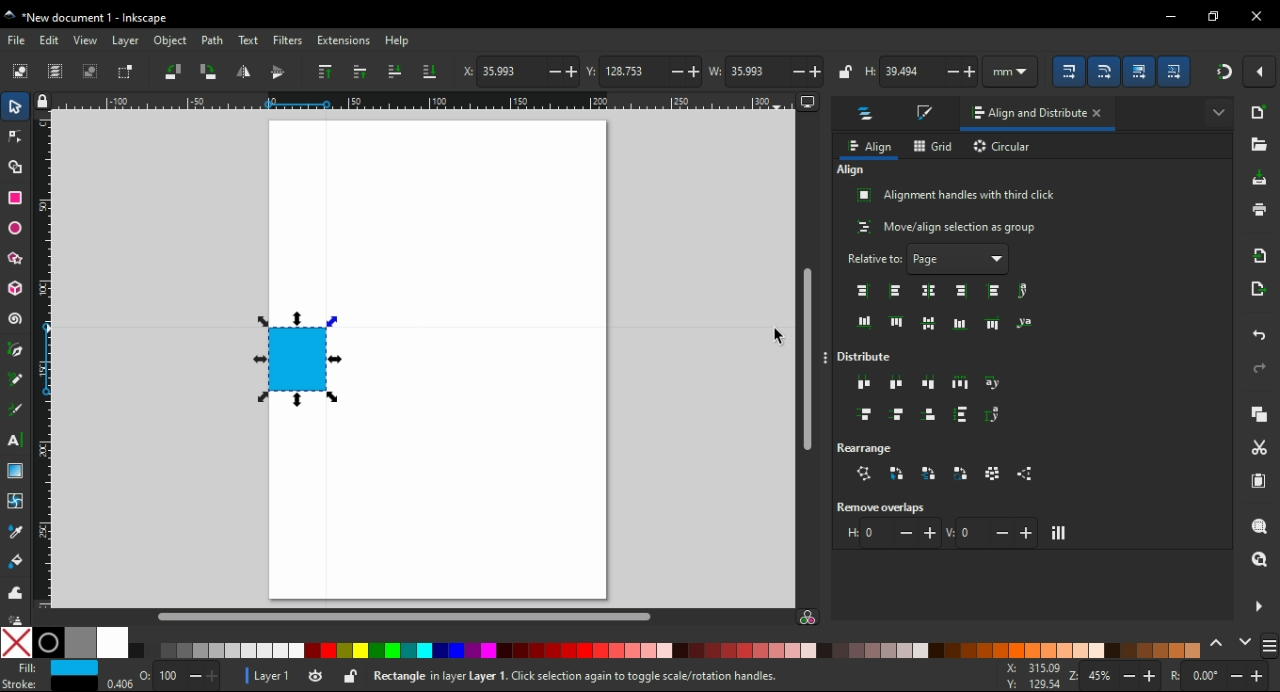  I want to click on calligraphy tool, so click(16, 408).